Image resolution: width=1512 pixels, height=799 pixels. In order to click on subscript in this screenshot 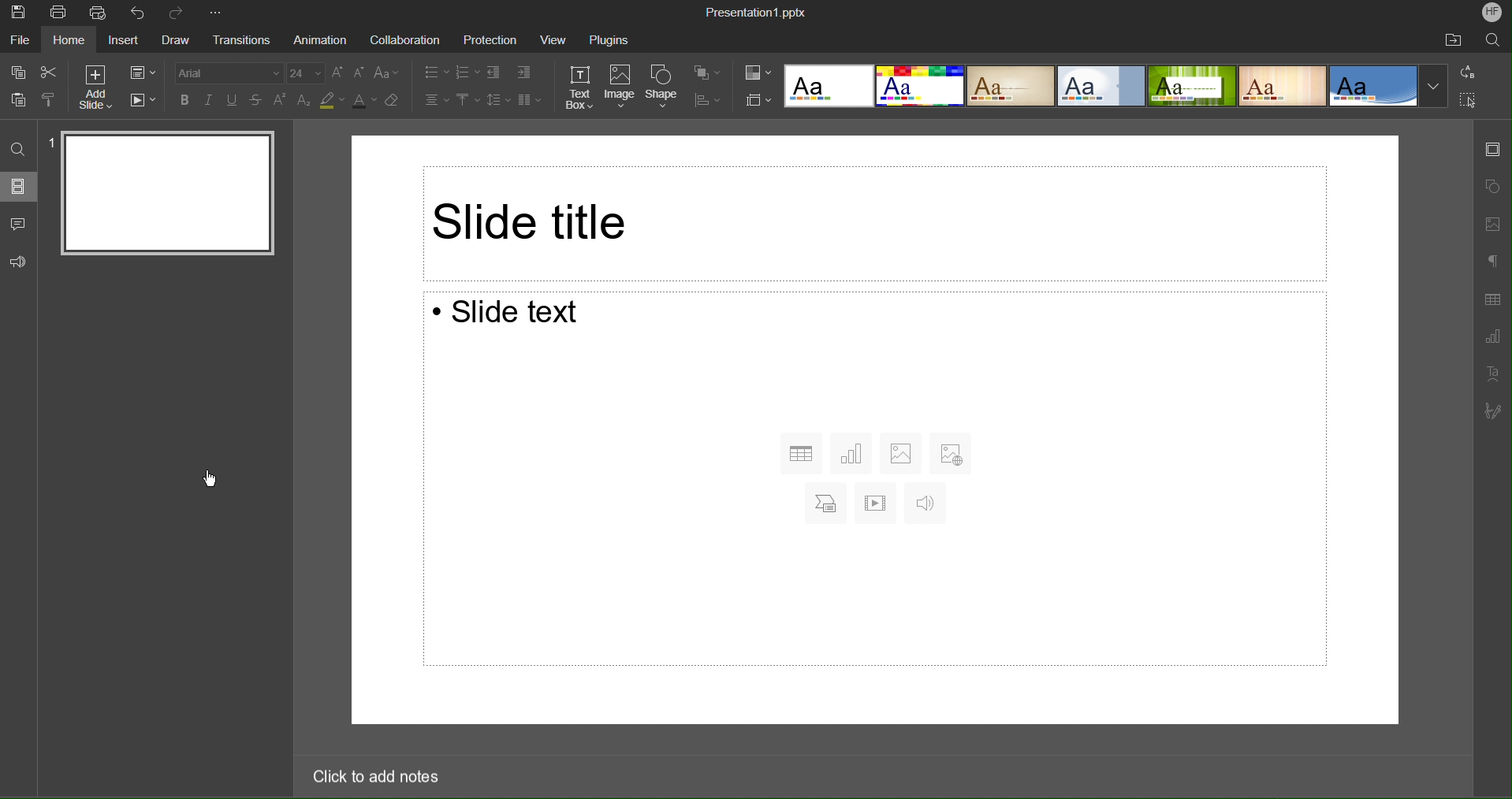, I will do `click(306, 101)`.